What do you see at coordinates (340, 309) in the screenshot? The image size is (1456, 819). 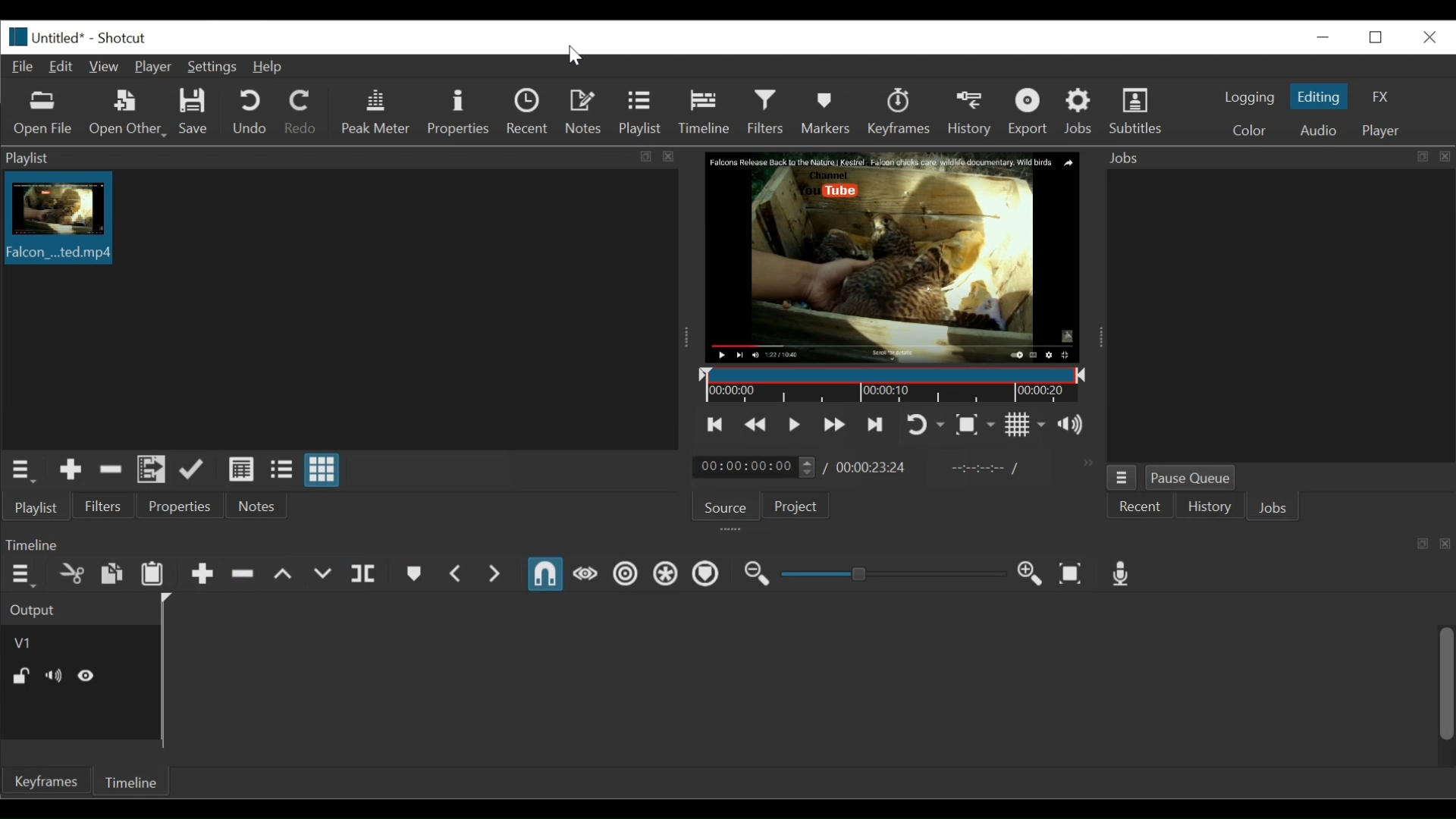 I see `Clip thumbnail` at bounding box center [340, 309].